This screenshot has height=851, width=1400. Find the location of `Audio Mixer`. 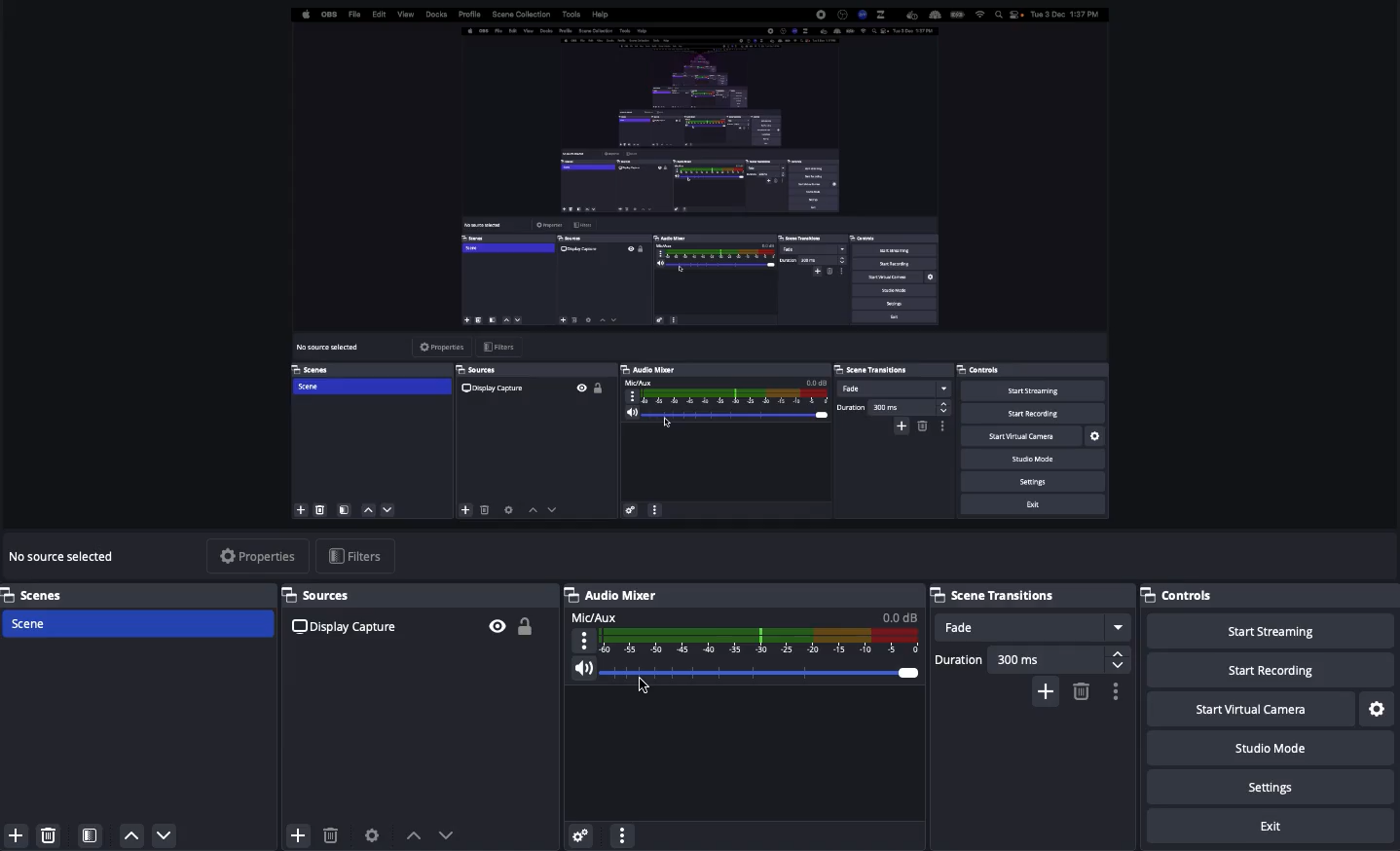

Audio Mixer is located at coordinates (740, 635).